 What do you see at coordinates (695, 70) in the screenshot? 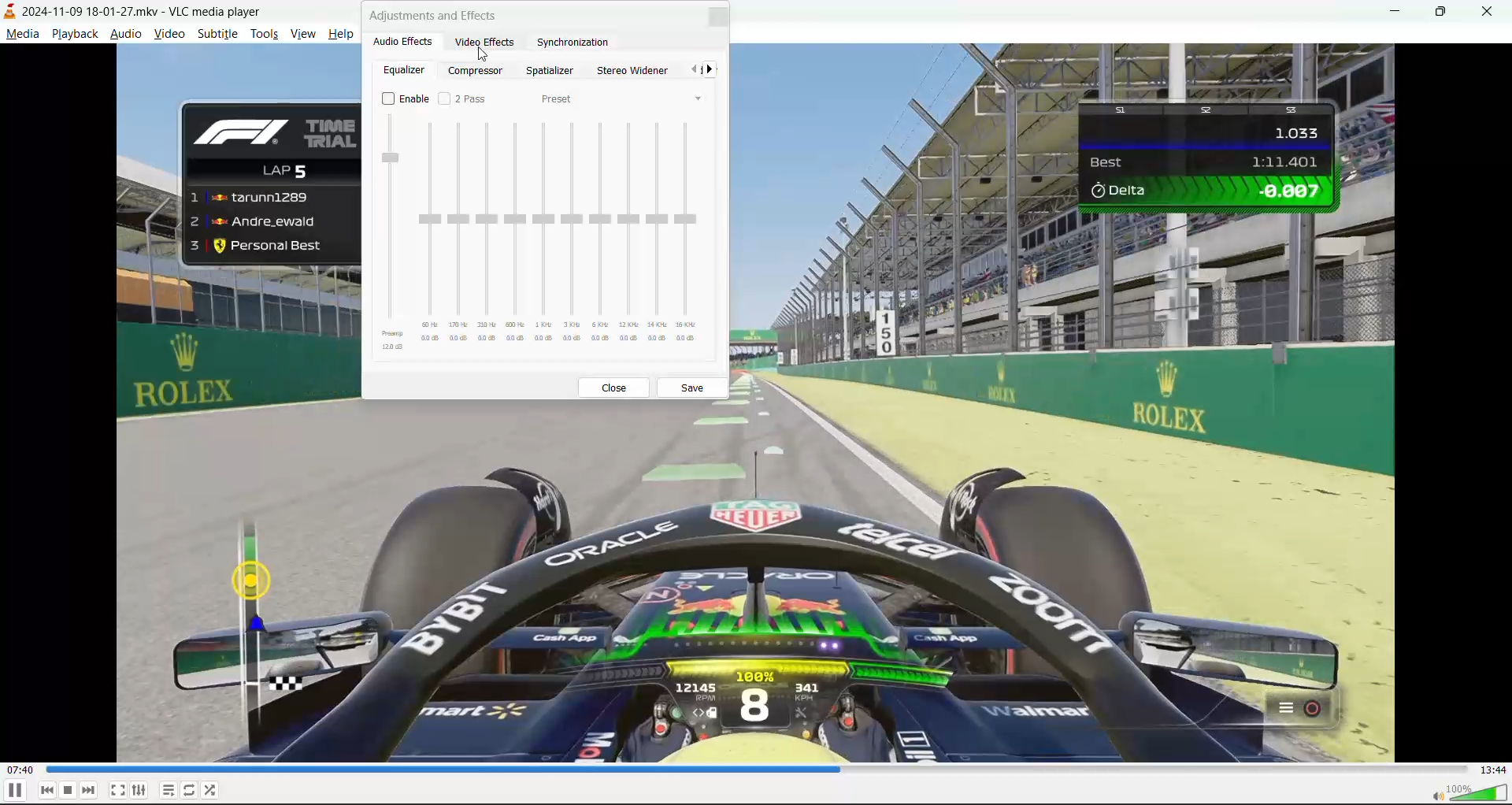
I see `previous` at bounding box center [695, 70].